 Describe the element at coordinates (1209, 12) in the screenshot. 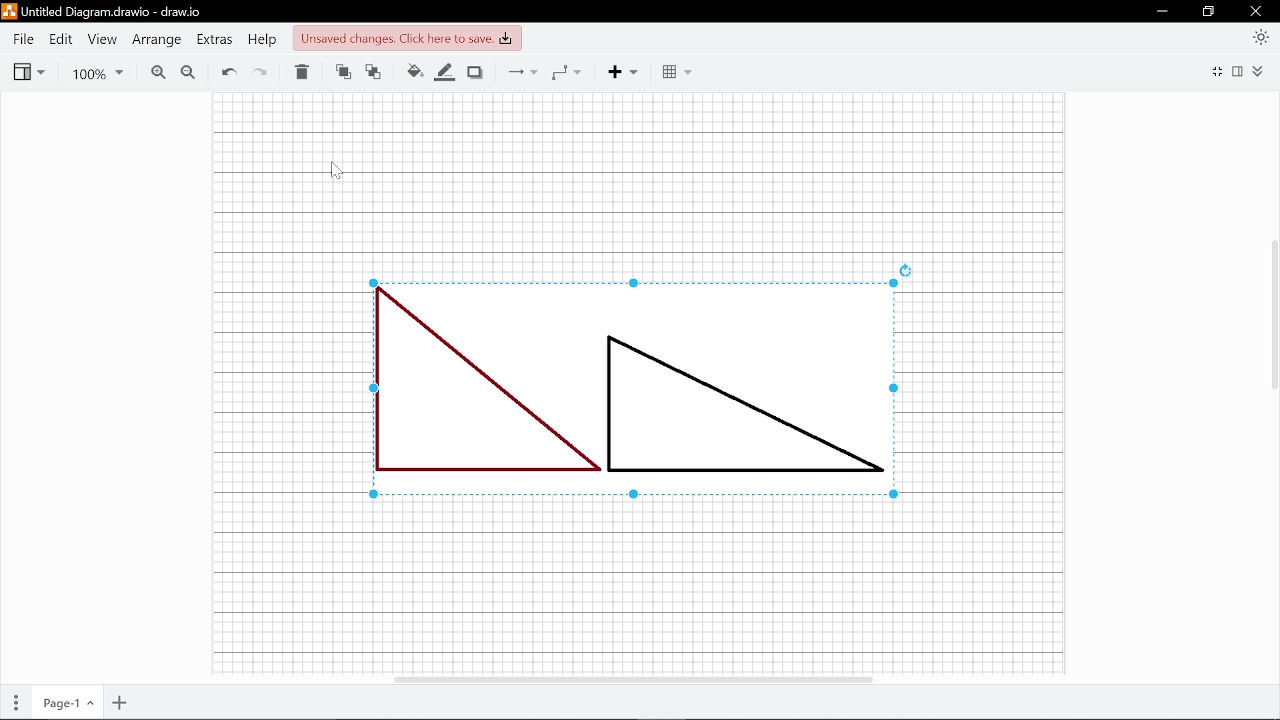

I see `Restore down` at that location.